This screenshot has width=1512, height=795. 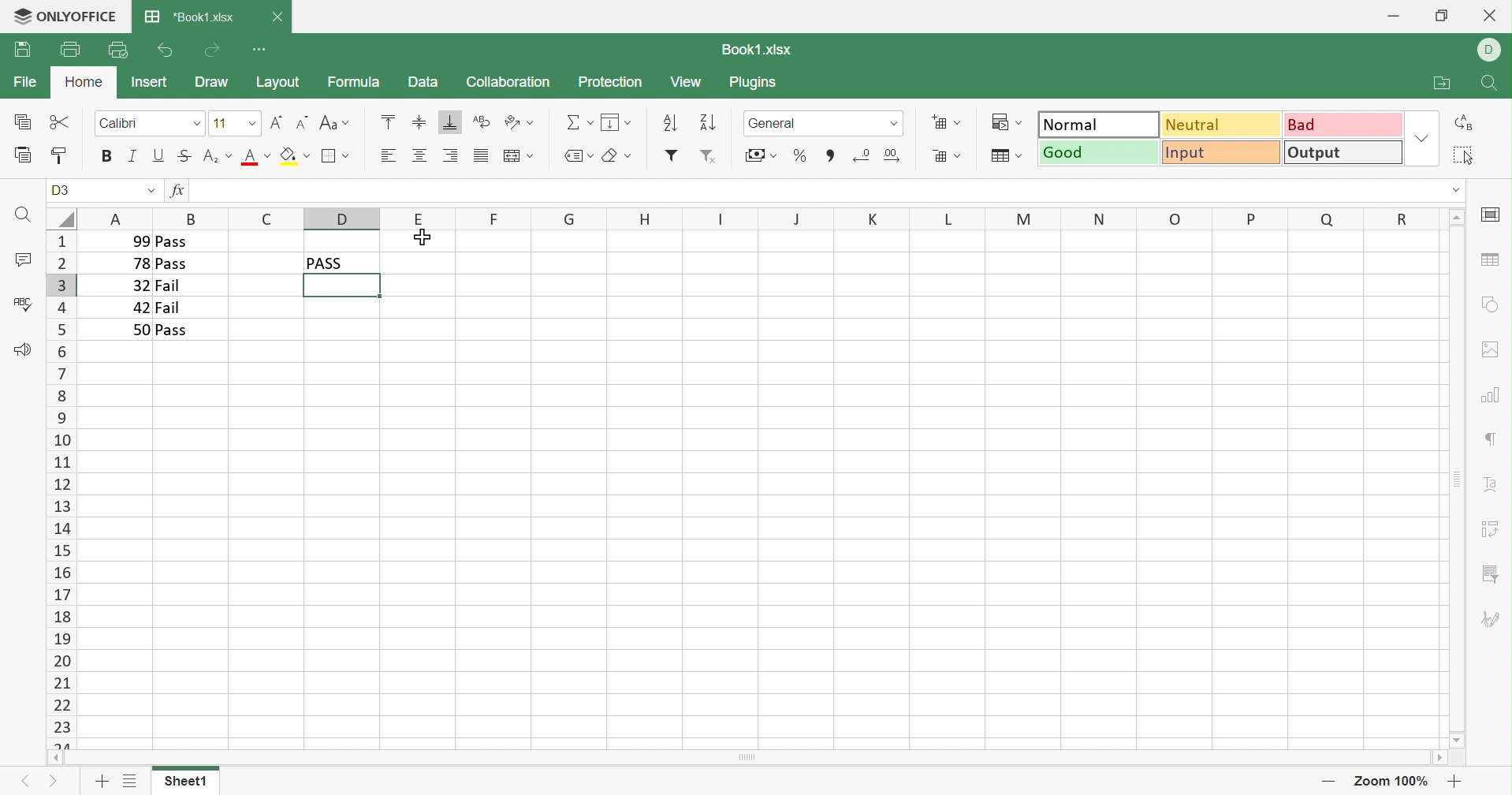 What do you see at coordinates (1099, 151) in the screenshot?
I see `Good` at bounding box center [1099, 151].